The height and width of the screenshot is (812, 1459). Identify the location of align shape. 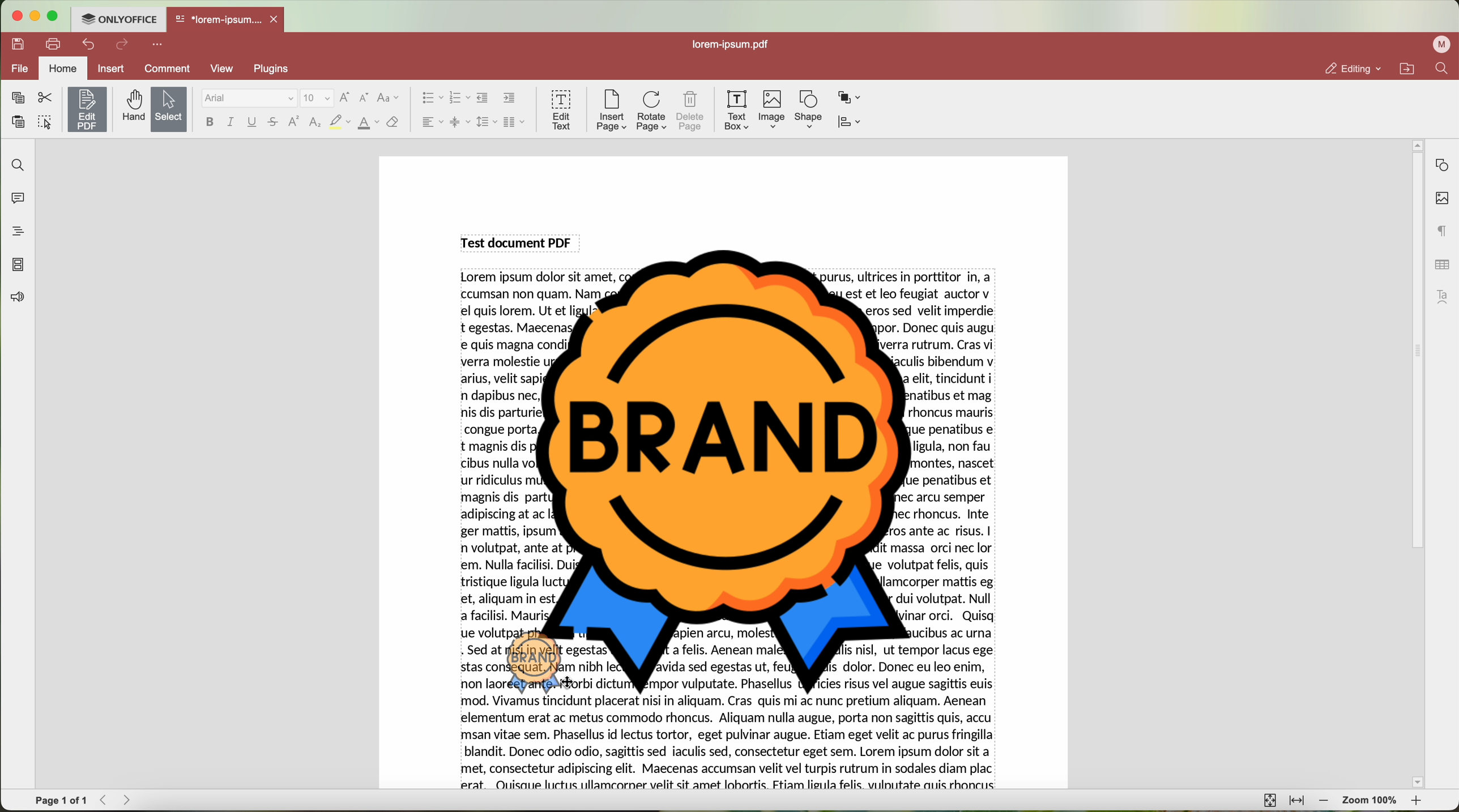
(852, 123).